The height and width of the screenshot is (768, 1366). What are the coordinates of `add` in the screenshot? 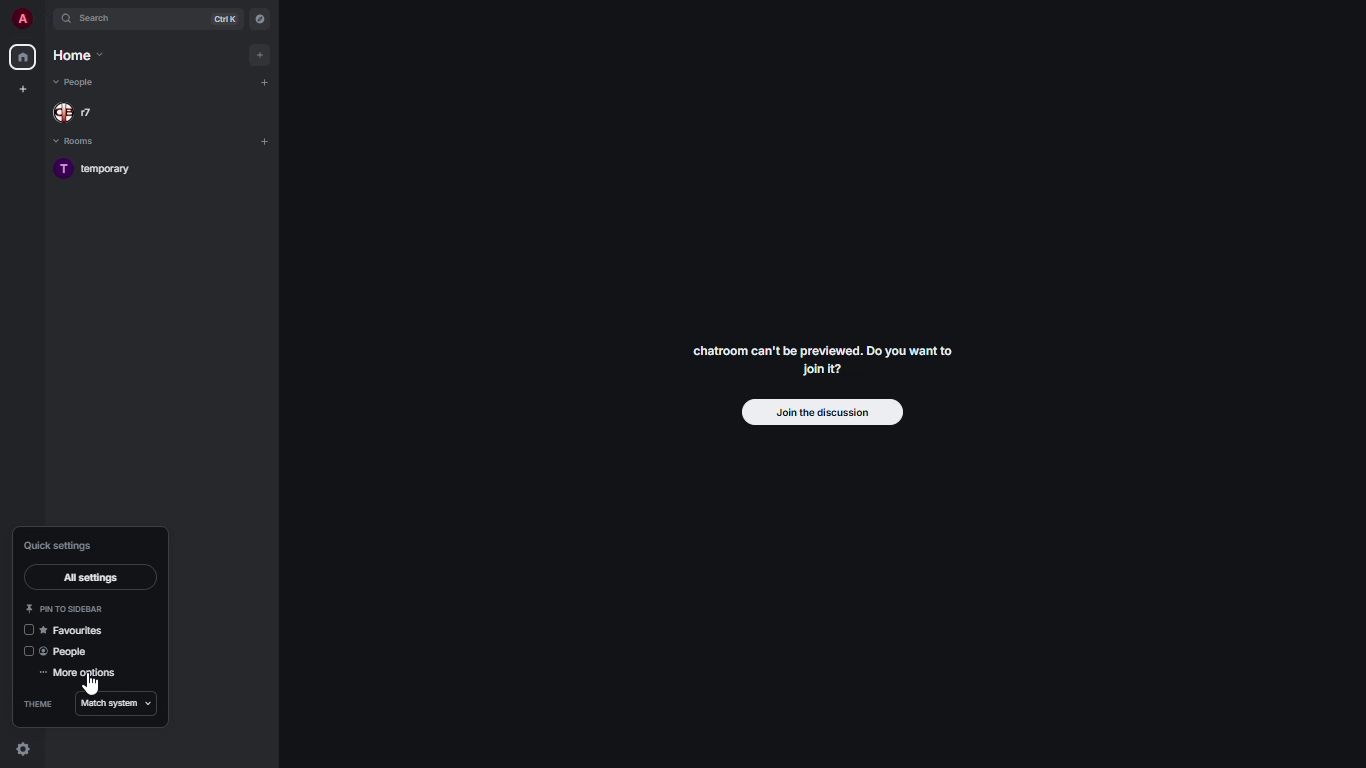 It's located at (261, 53).